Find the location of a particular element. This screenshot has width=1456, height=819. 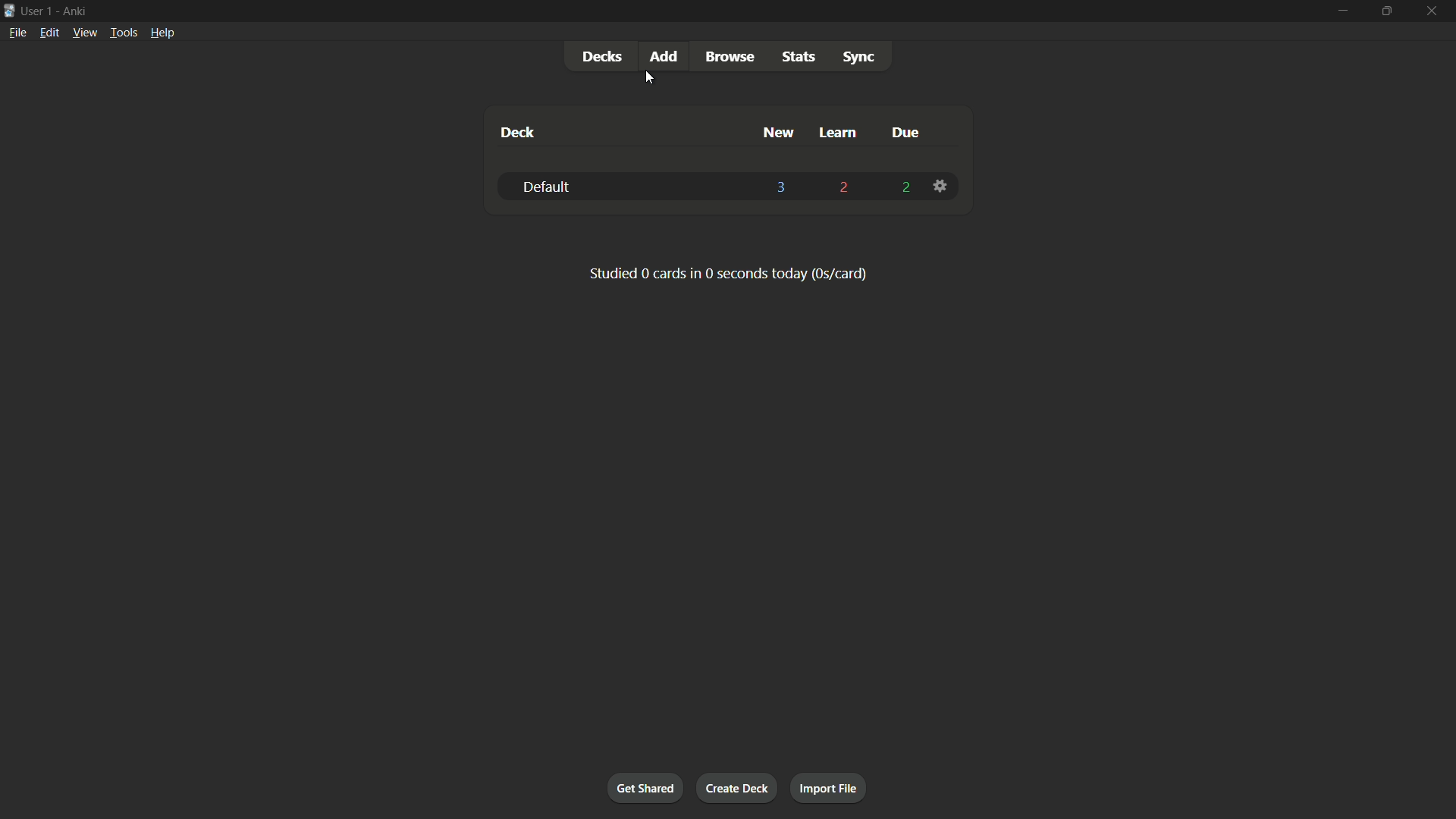

cursor is located at coordinates (648, 80).